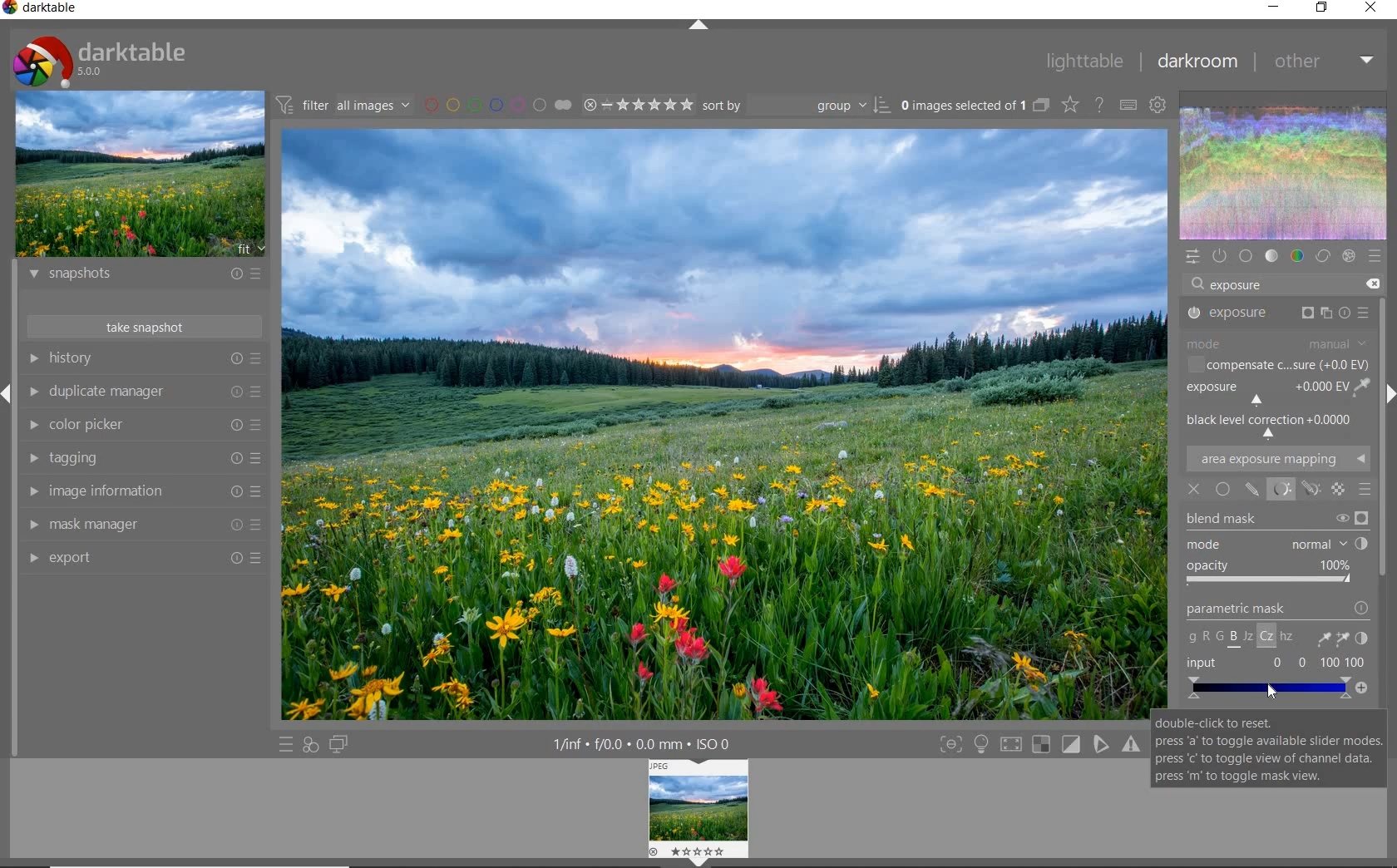  Describe the element at coordinates (1036, 745) in the screenshot. I see `toggle modes` at that location.